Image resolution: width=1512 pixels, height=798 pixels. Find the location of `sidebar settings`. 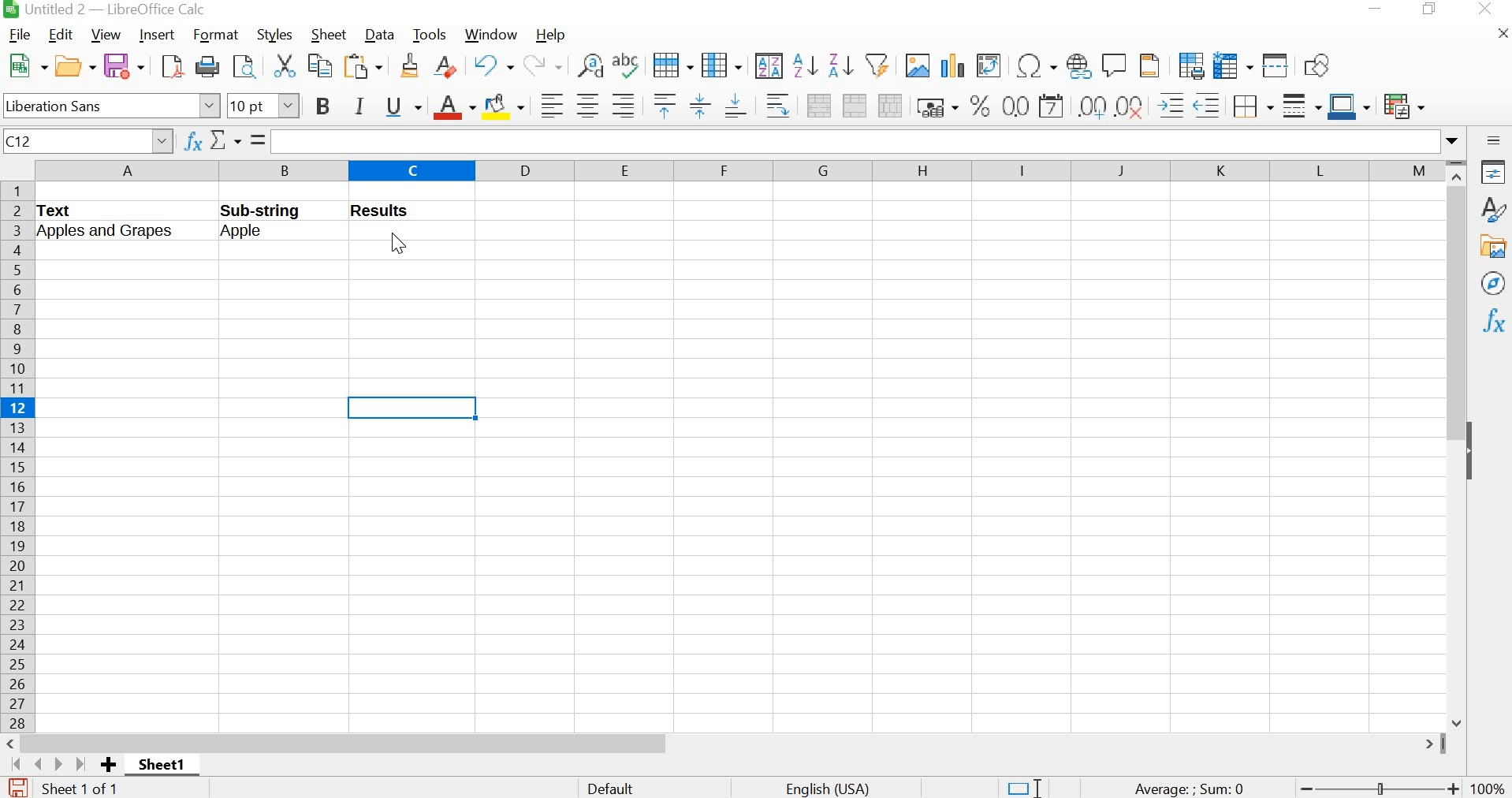

sidebar settings is located at coordinates (1494, 140).